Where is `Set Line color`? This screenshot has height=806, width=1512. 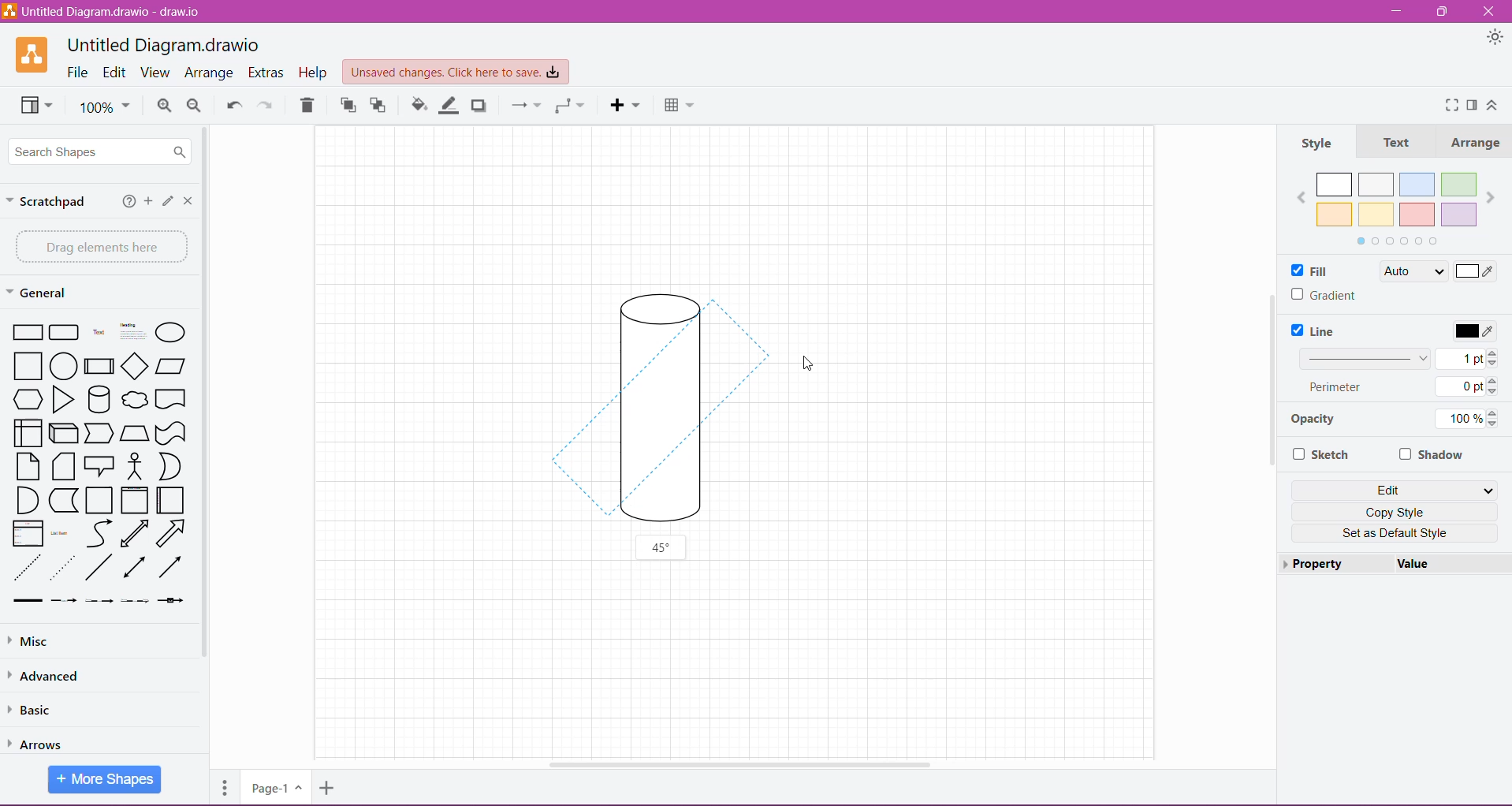 Set Line color is located at coordinates (1473, 330).